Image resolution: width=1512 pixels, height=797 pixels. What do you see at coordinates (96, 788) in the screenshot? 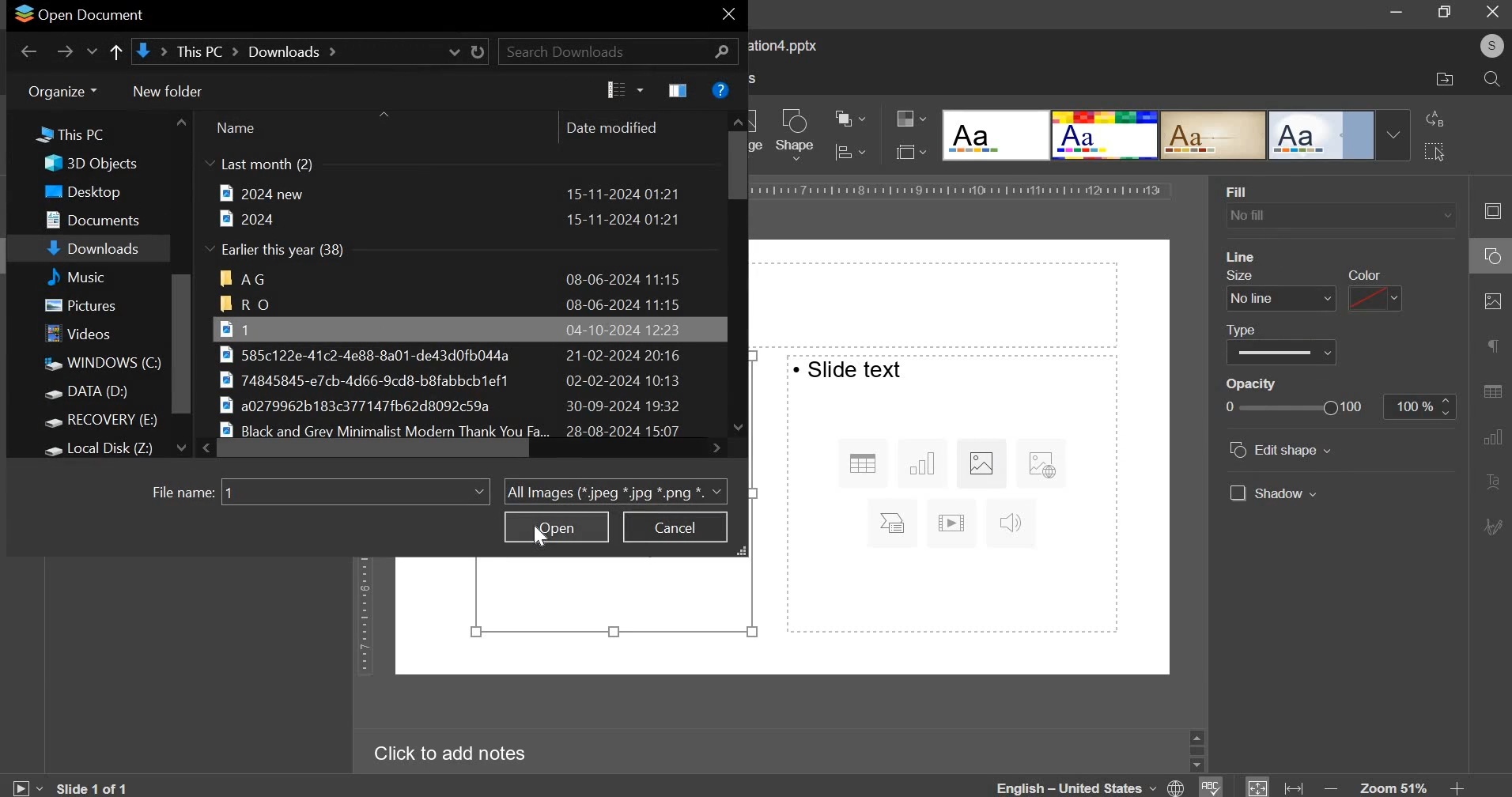
I see `current slide number` at bounding box center [96, 788].